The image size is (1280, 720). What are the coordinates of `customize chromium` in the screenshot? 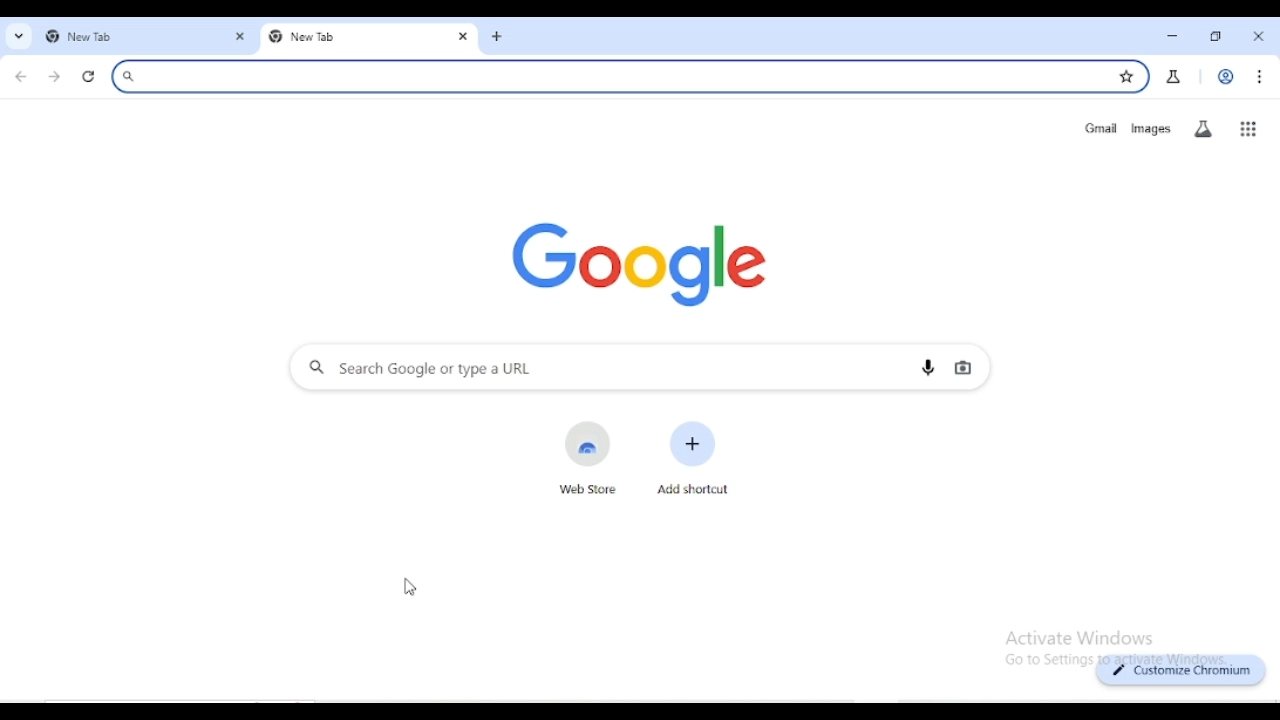 It's located at (1182, 670).